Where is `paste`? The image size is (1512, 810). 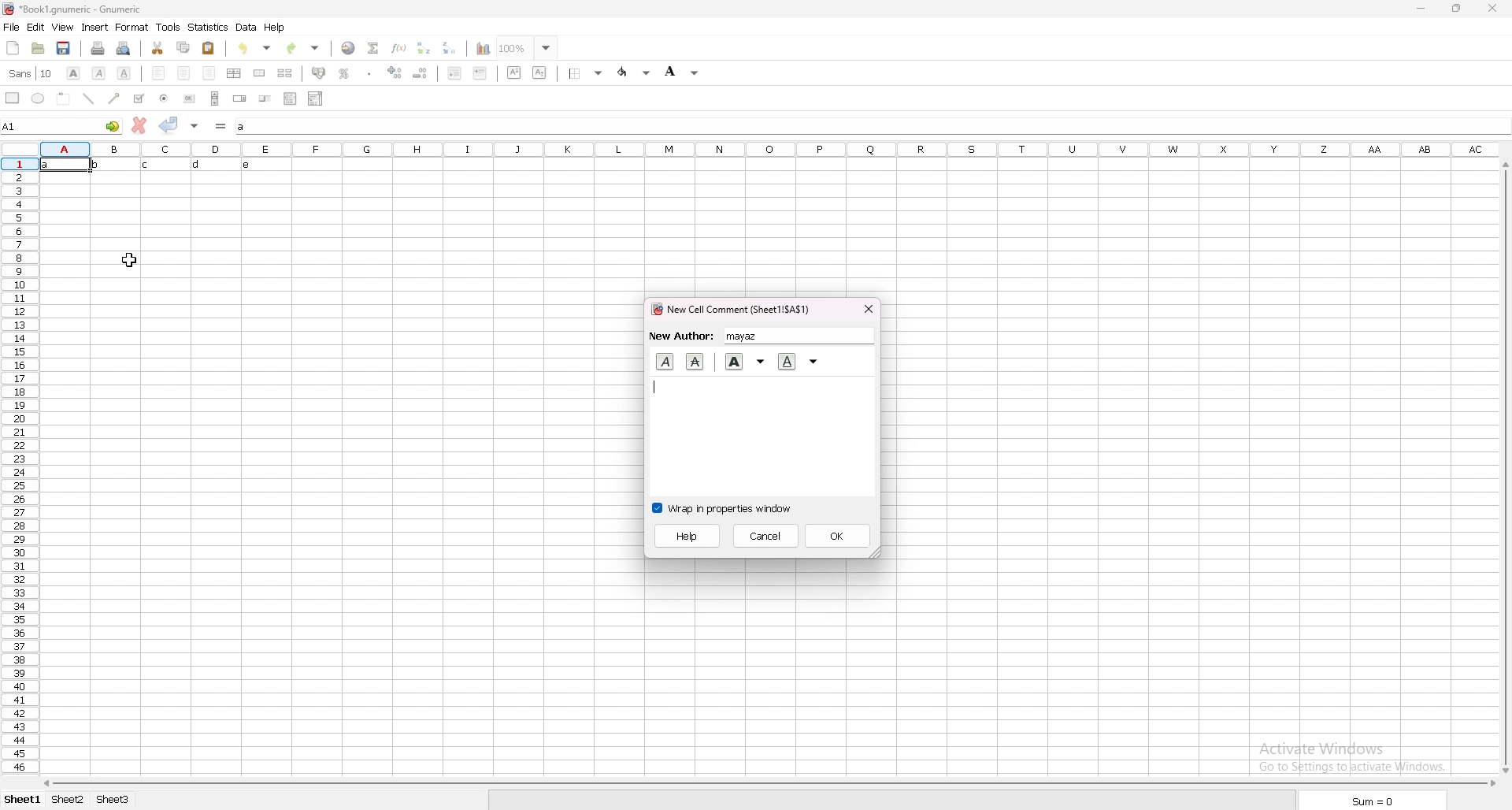 paste is located at coordinates (208, 47).